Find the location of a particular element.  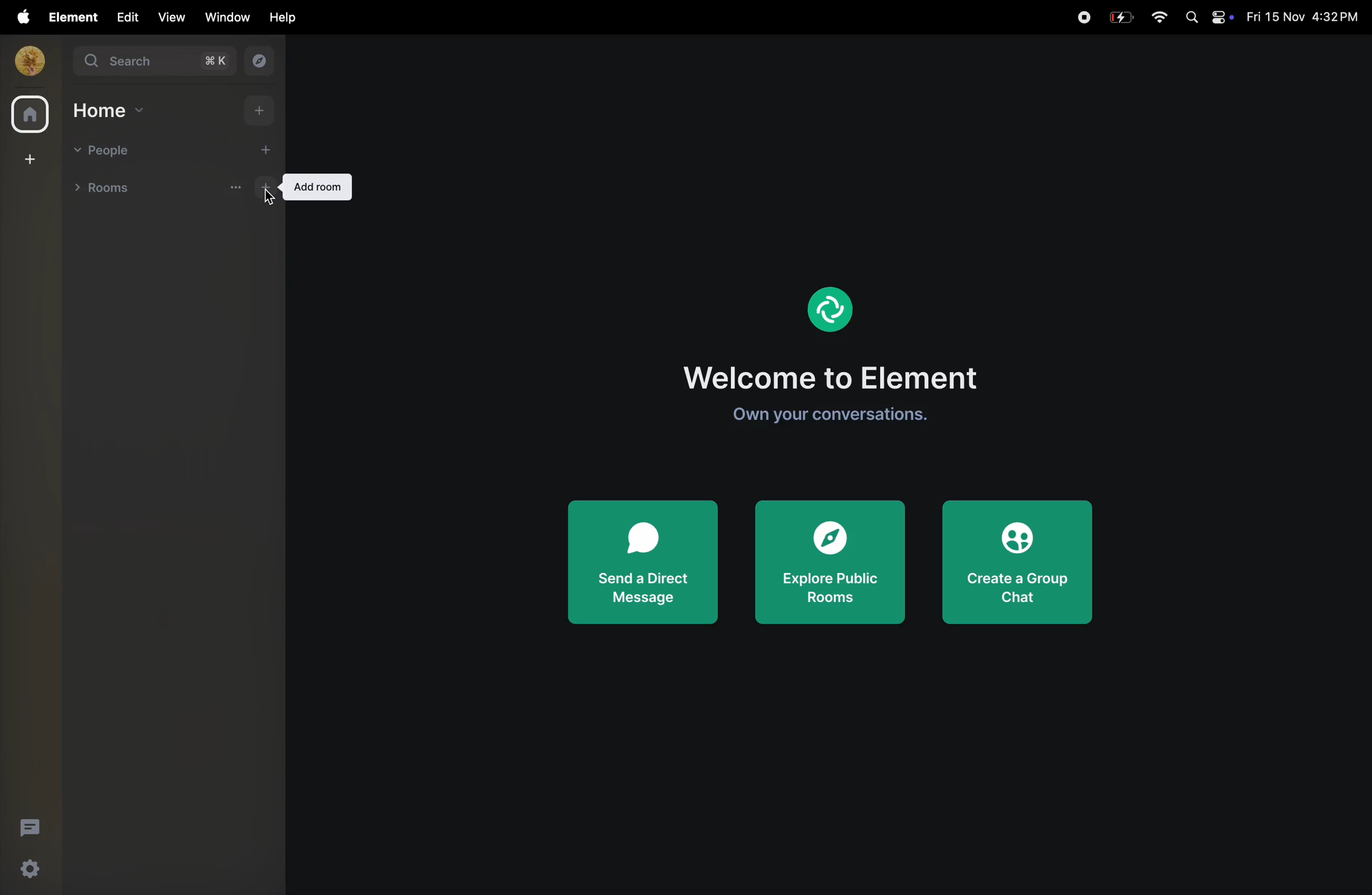

explore public chat rooms is located at coordinates (832, 563).